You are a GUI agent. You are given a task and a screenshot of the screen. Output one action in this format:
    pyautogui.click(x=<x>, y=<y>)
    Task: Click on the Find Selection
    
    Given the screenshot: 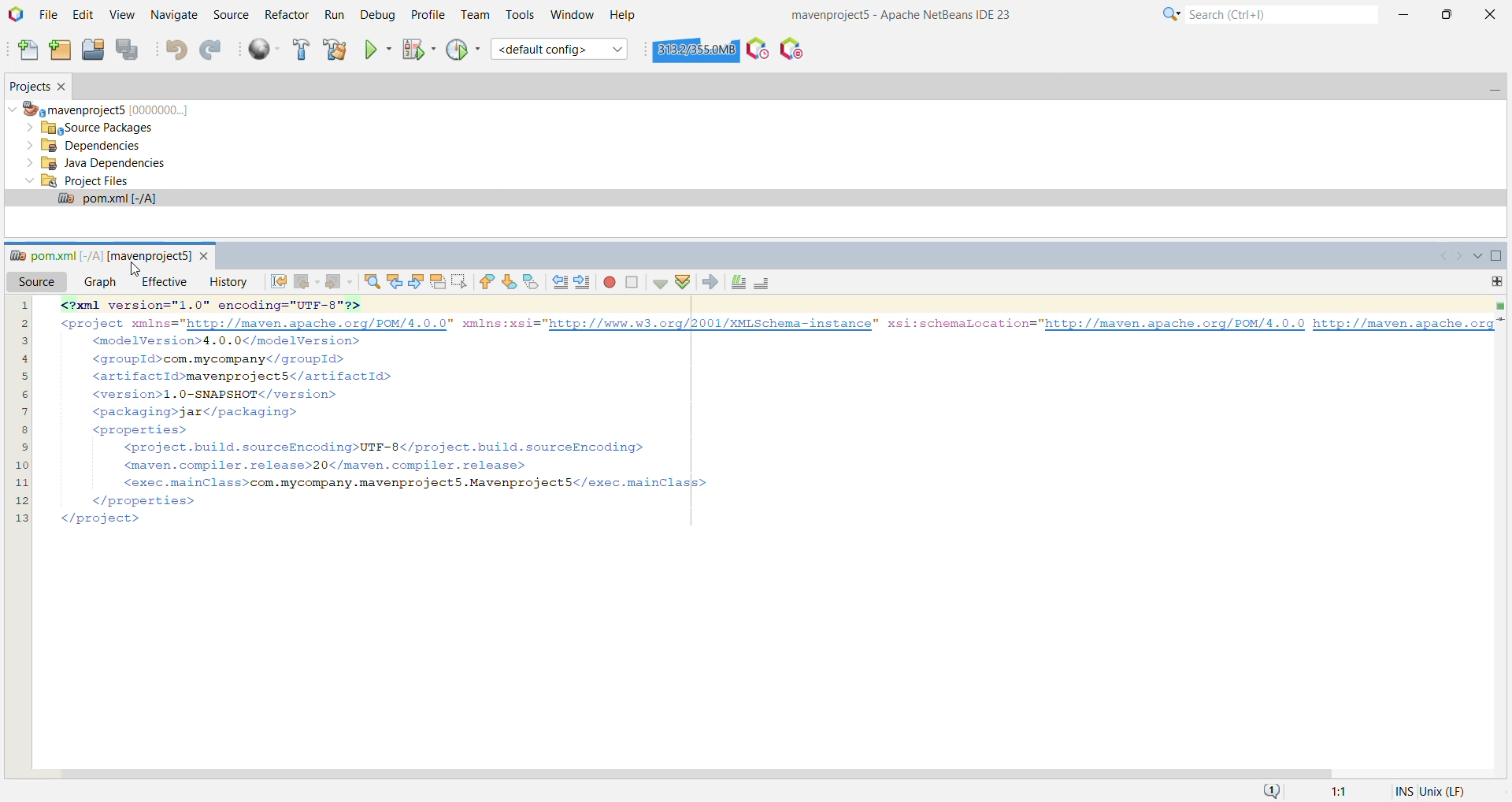 What is the action you would take?
    pyautogui.click(x=372, y=283)
    